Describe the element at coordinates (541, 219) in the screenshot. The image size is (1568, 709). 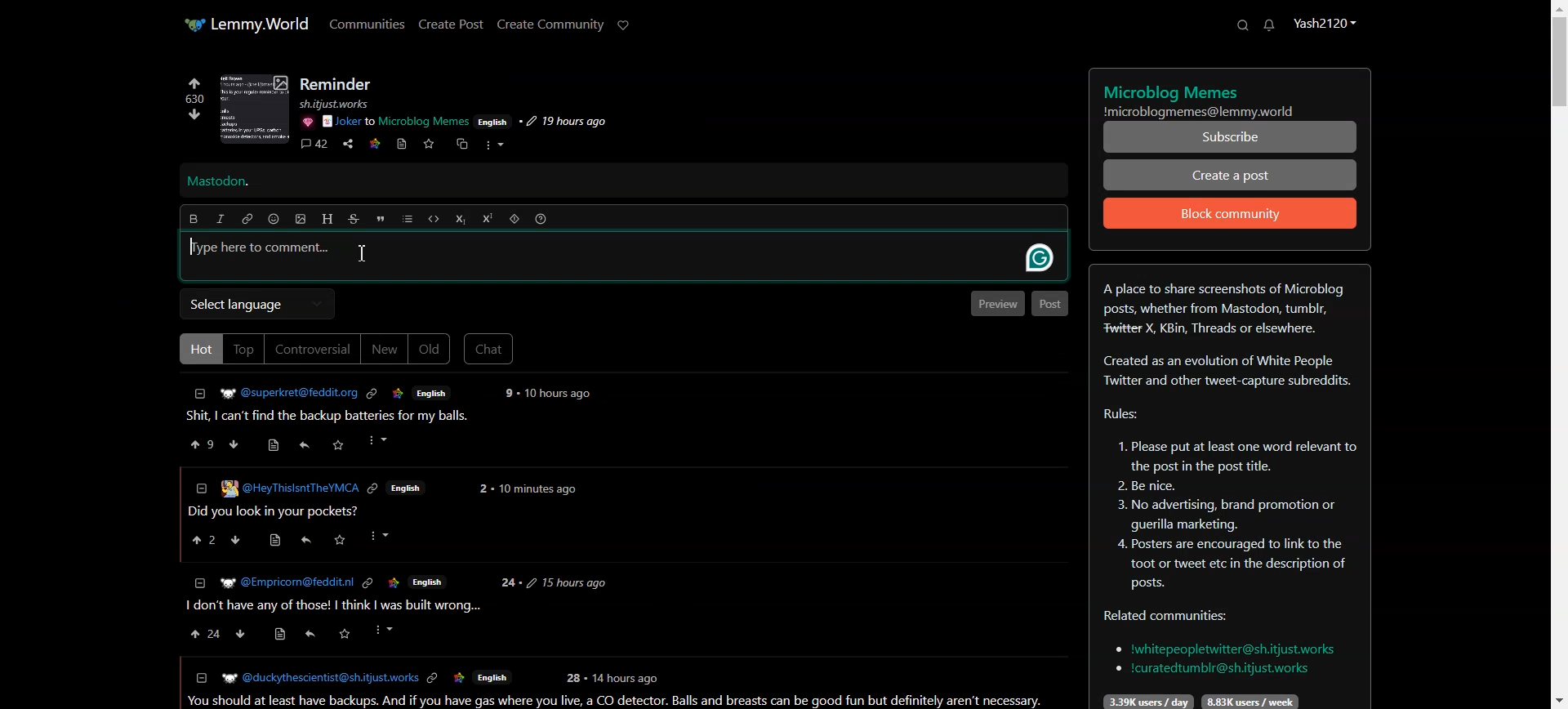
I see `Formatting help` at that location.